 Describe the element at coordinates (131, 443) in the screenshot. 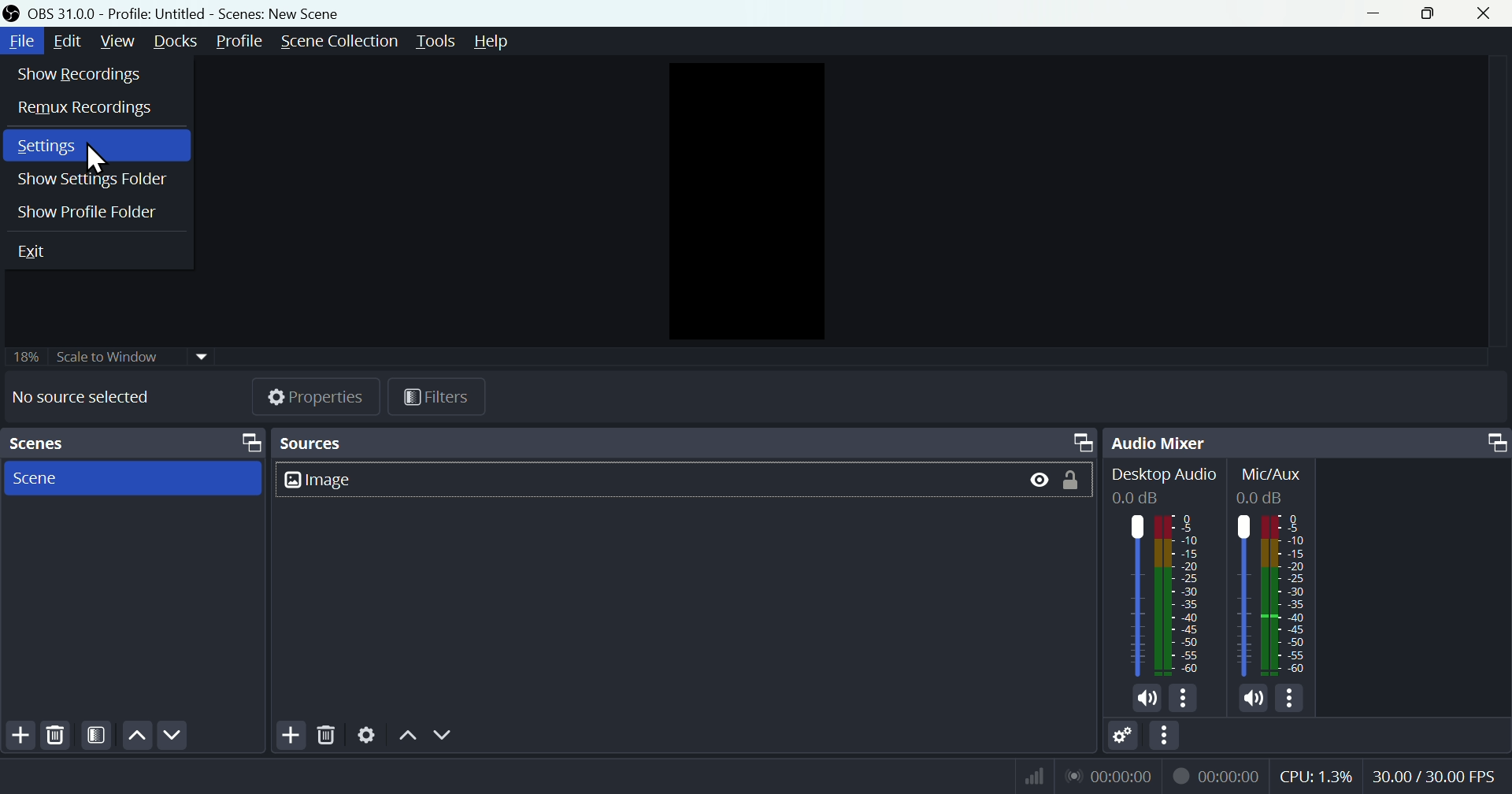

I see `Scenes` at that location.